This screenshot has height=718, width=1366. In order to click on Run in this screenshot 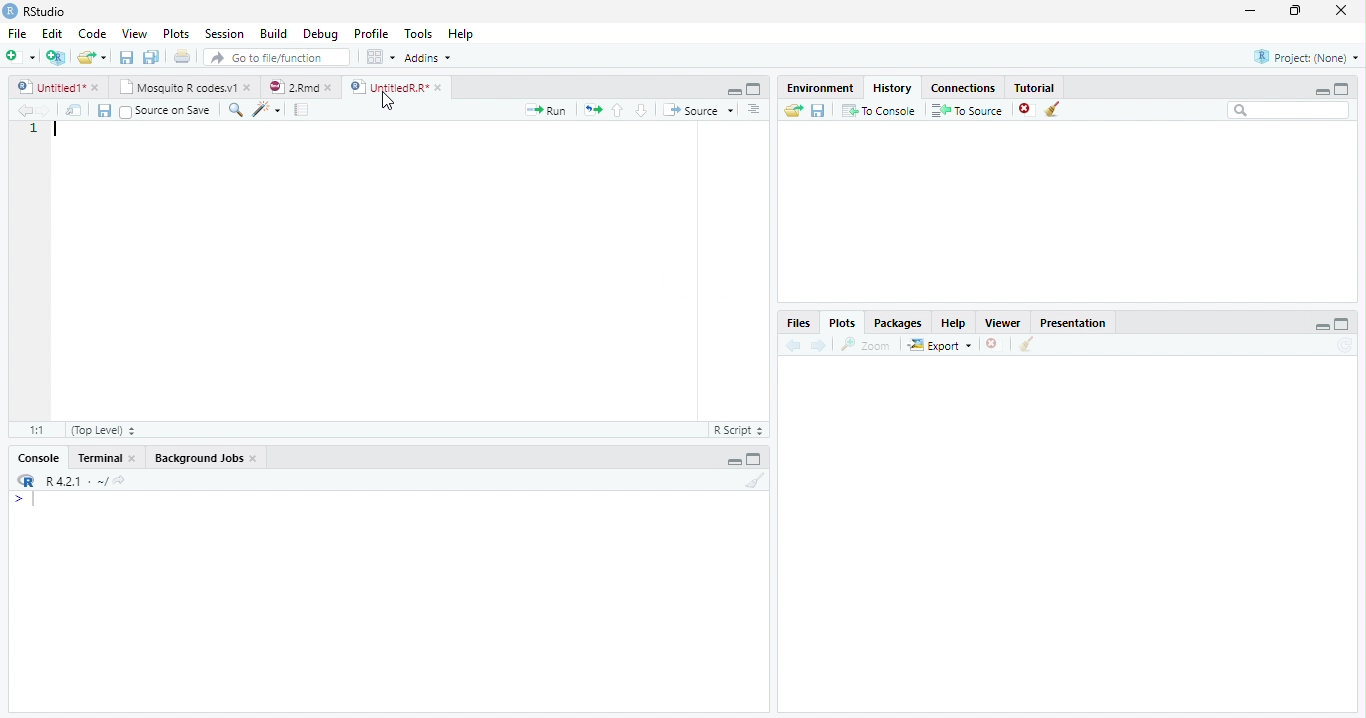, I will do `click(546, 111)`.